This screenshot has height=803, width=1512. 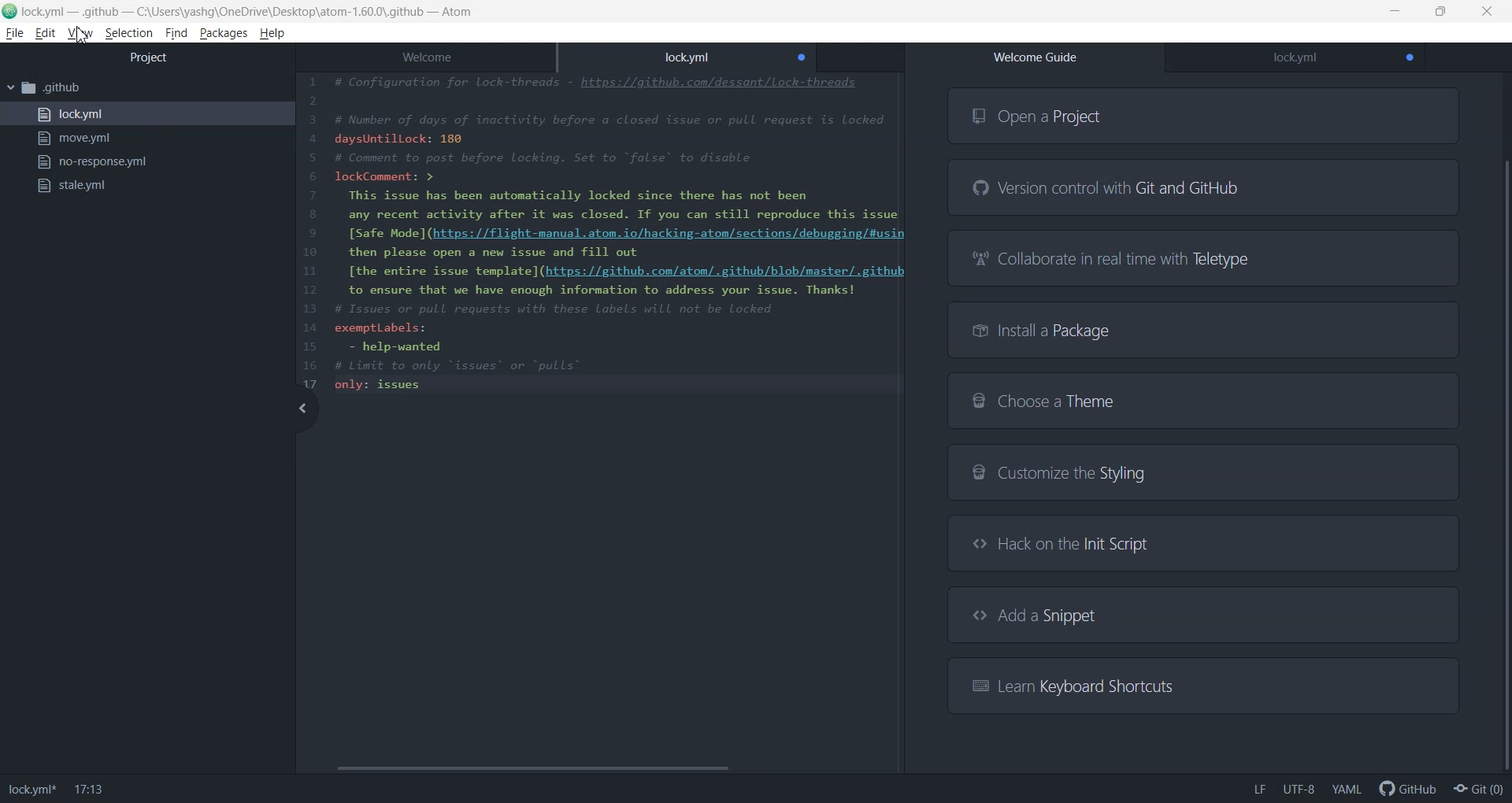 I want to click on Cursor, so click(x=83, y=37).